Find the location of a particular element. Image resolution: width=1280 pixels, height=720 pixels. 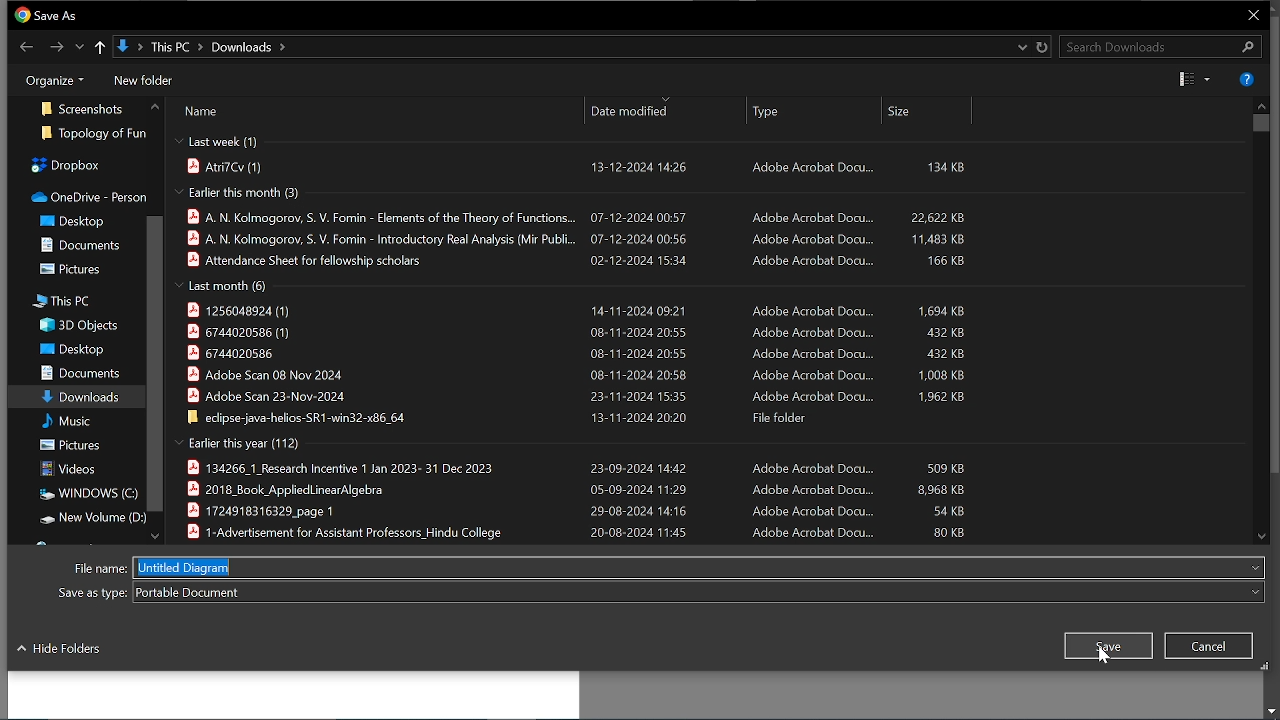

Upto last location is located at coordinates (101, 49).